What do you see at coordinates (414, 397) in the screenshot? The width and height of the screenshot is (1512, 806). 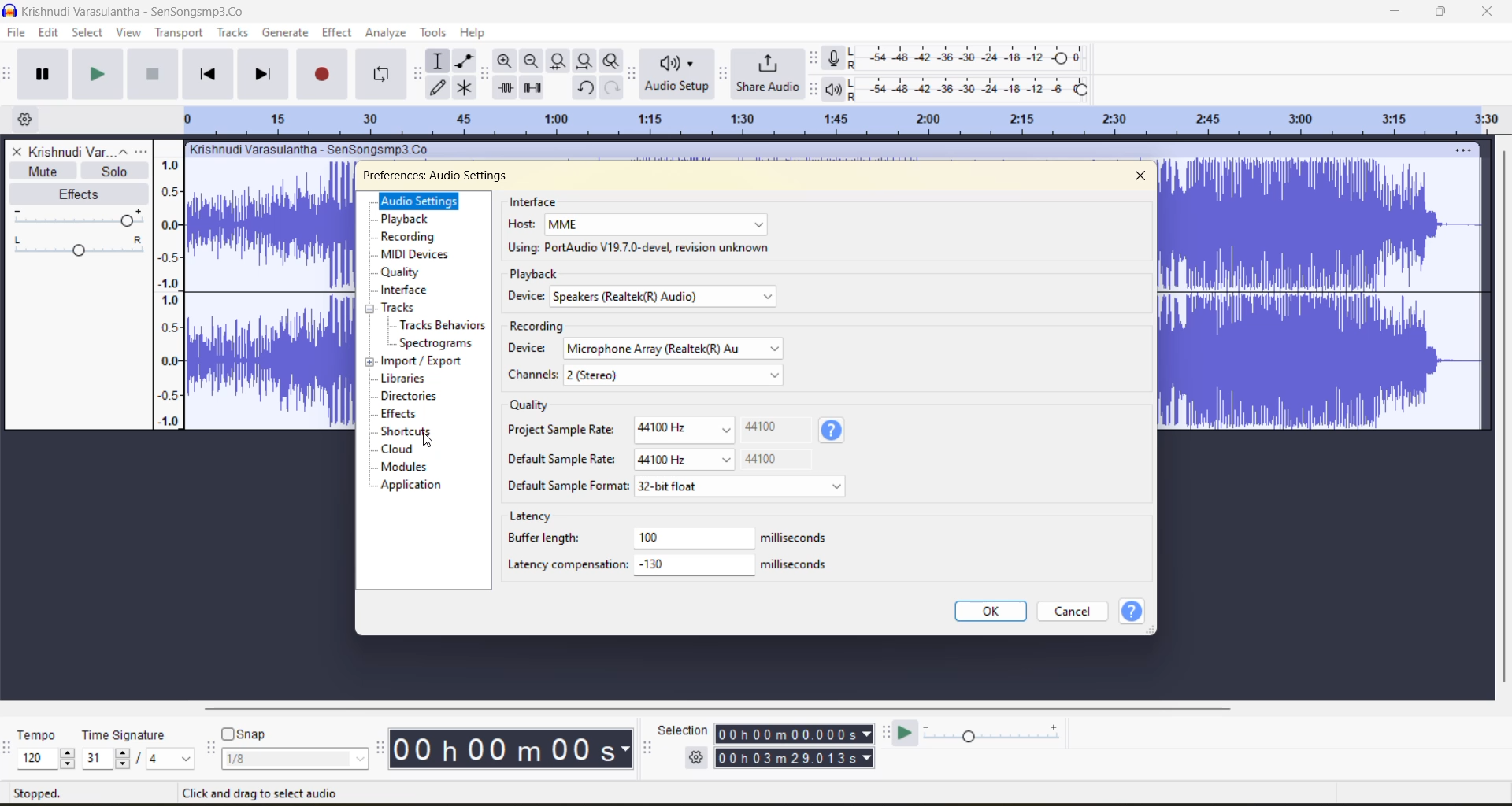 I see `directories` at bounding box center [414, 397].